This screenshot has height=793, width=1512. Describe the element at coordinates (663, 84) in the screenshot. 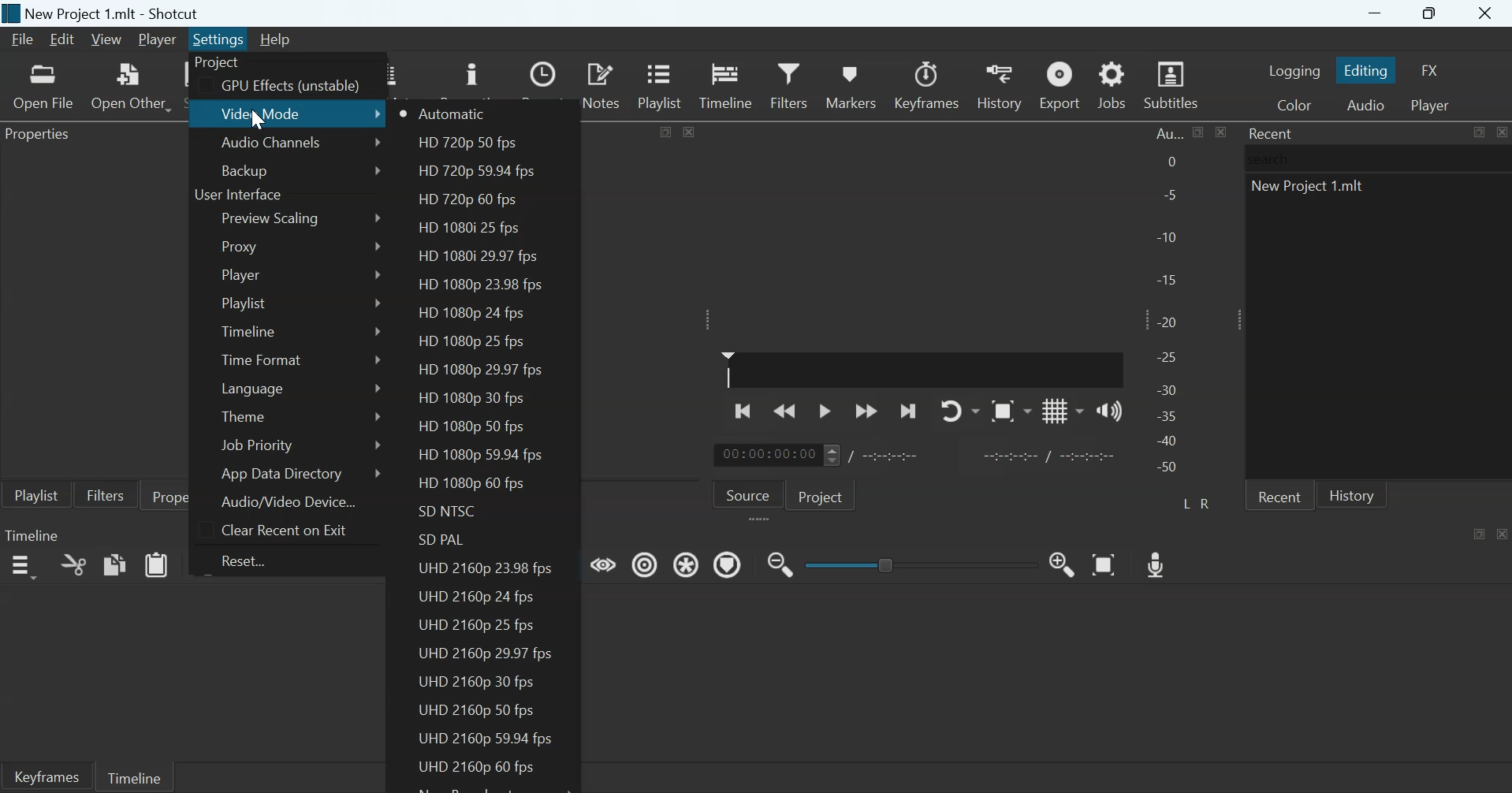

I see `Playlist` at that location.